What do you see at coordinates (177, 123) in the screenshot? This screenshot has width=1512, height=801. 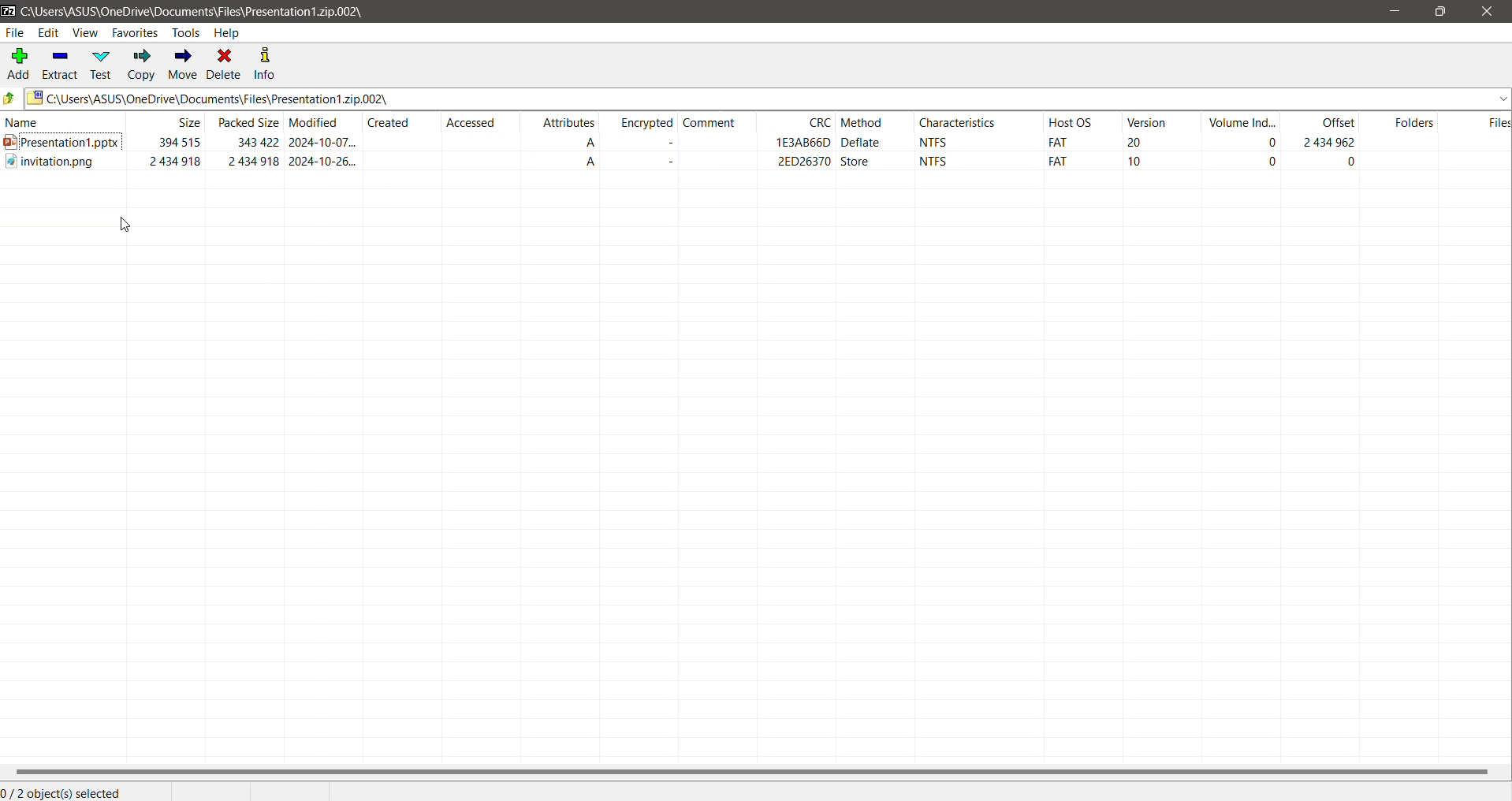 I see `Size` at bounding box center [177, 123].